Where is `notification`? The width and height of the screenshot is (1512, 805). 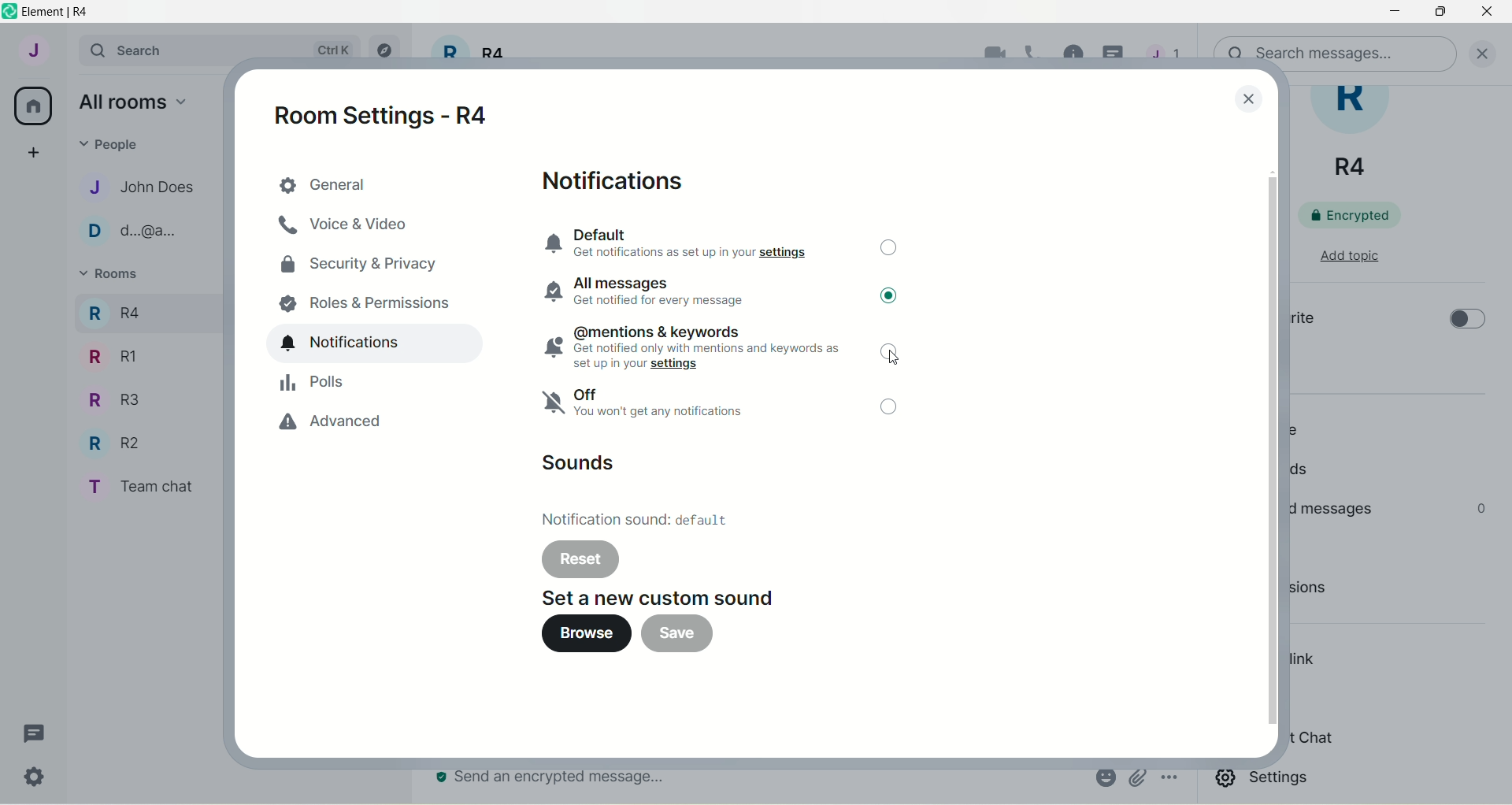 notification is located at coordinates (376, 344).